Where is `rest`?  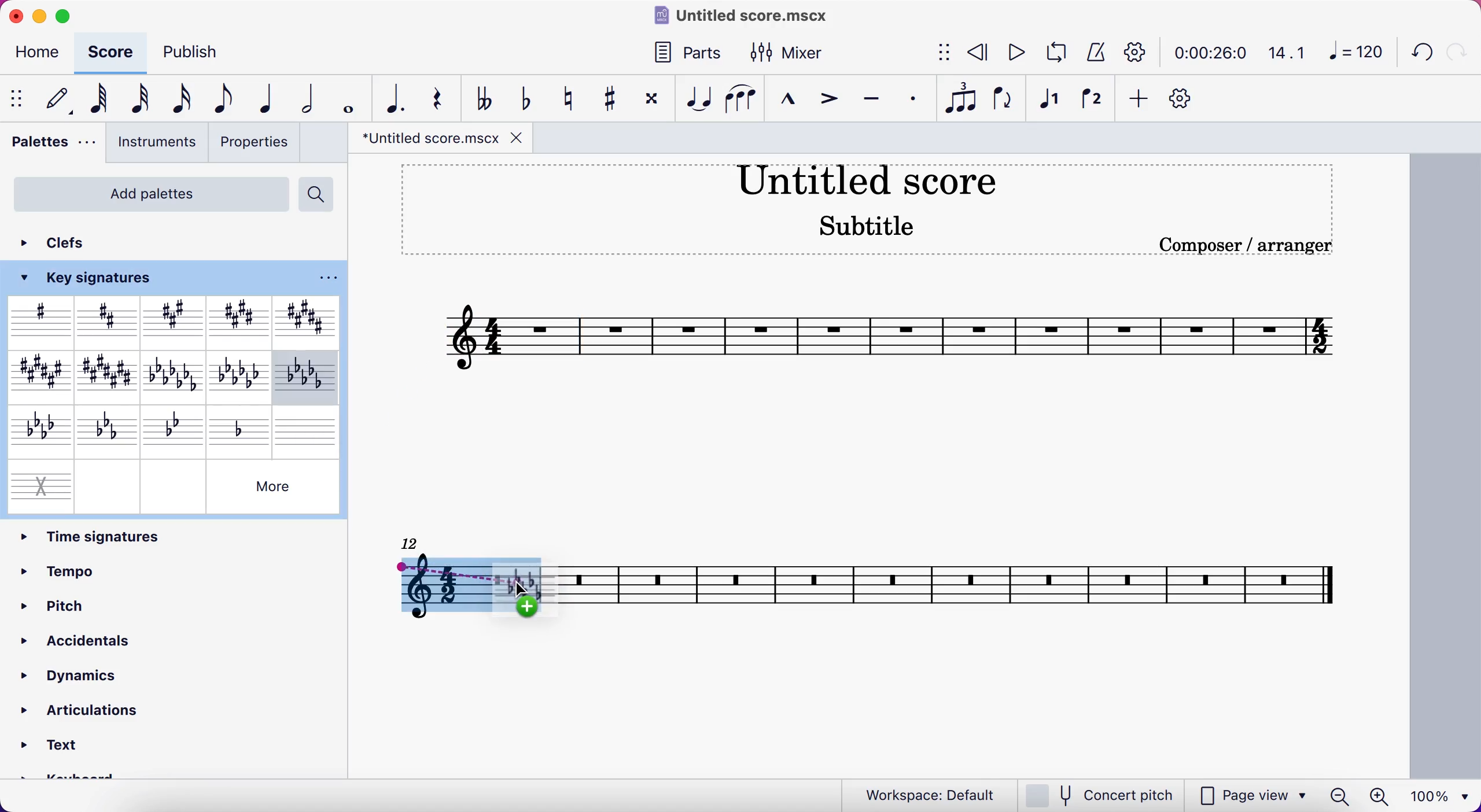
rest is located at coordinates (443, 96).